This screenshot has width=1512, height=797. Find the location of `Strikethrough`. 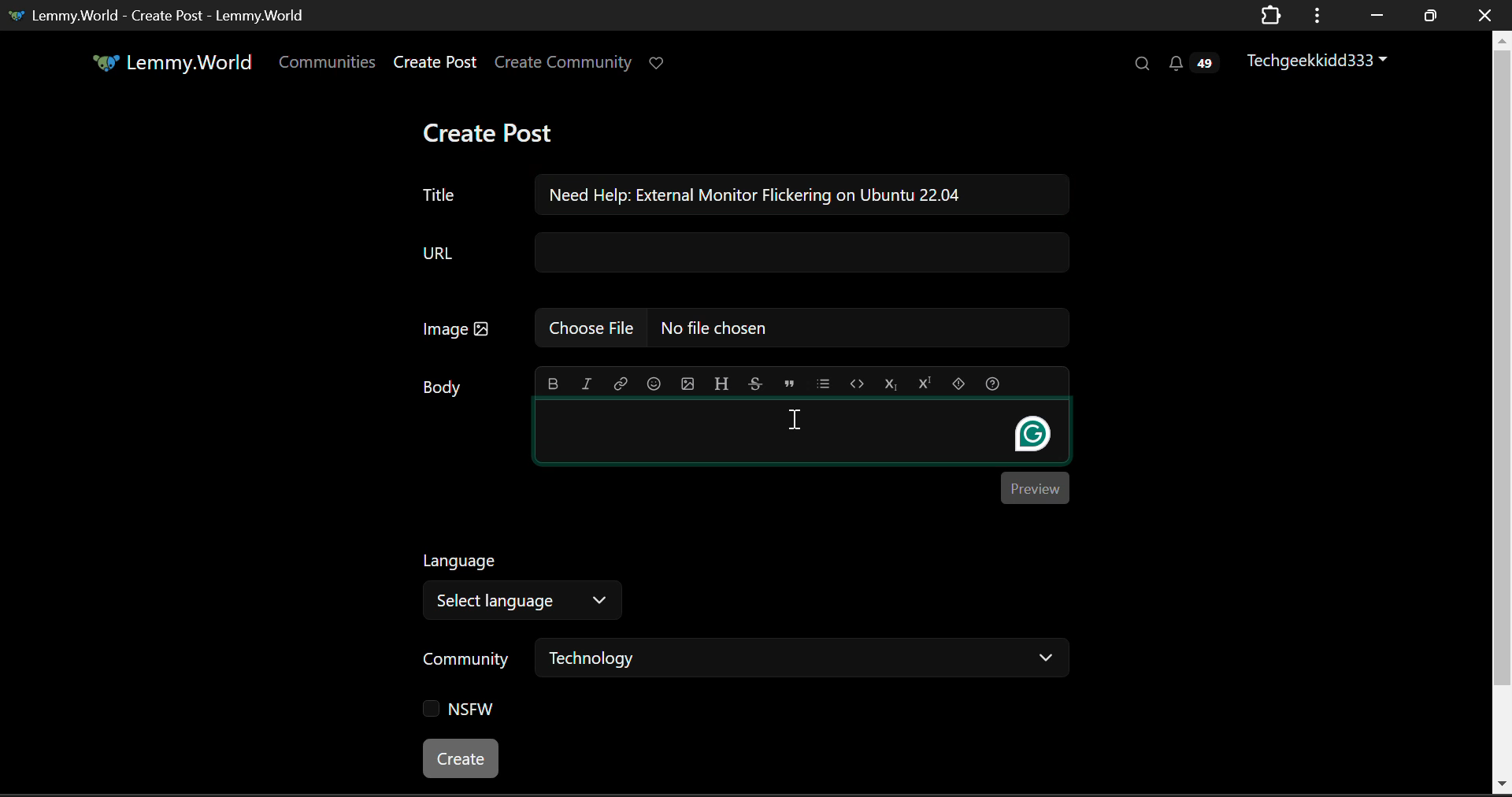

Strikethrough is located at coordinates (755, 385).